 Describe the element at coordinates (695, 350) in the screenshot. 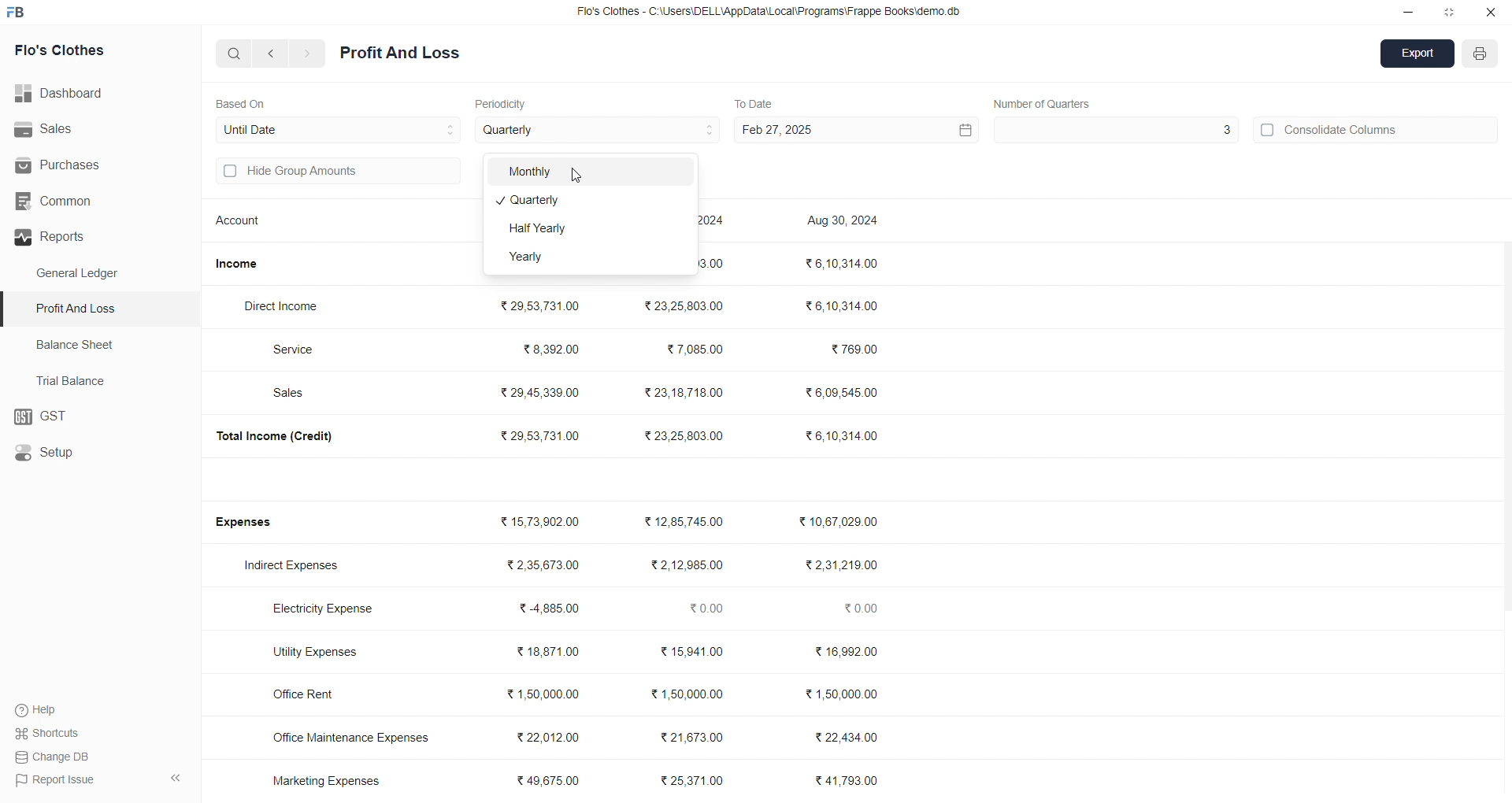

I see `₹7,085.00` at that location.